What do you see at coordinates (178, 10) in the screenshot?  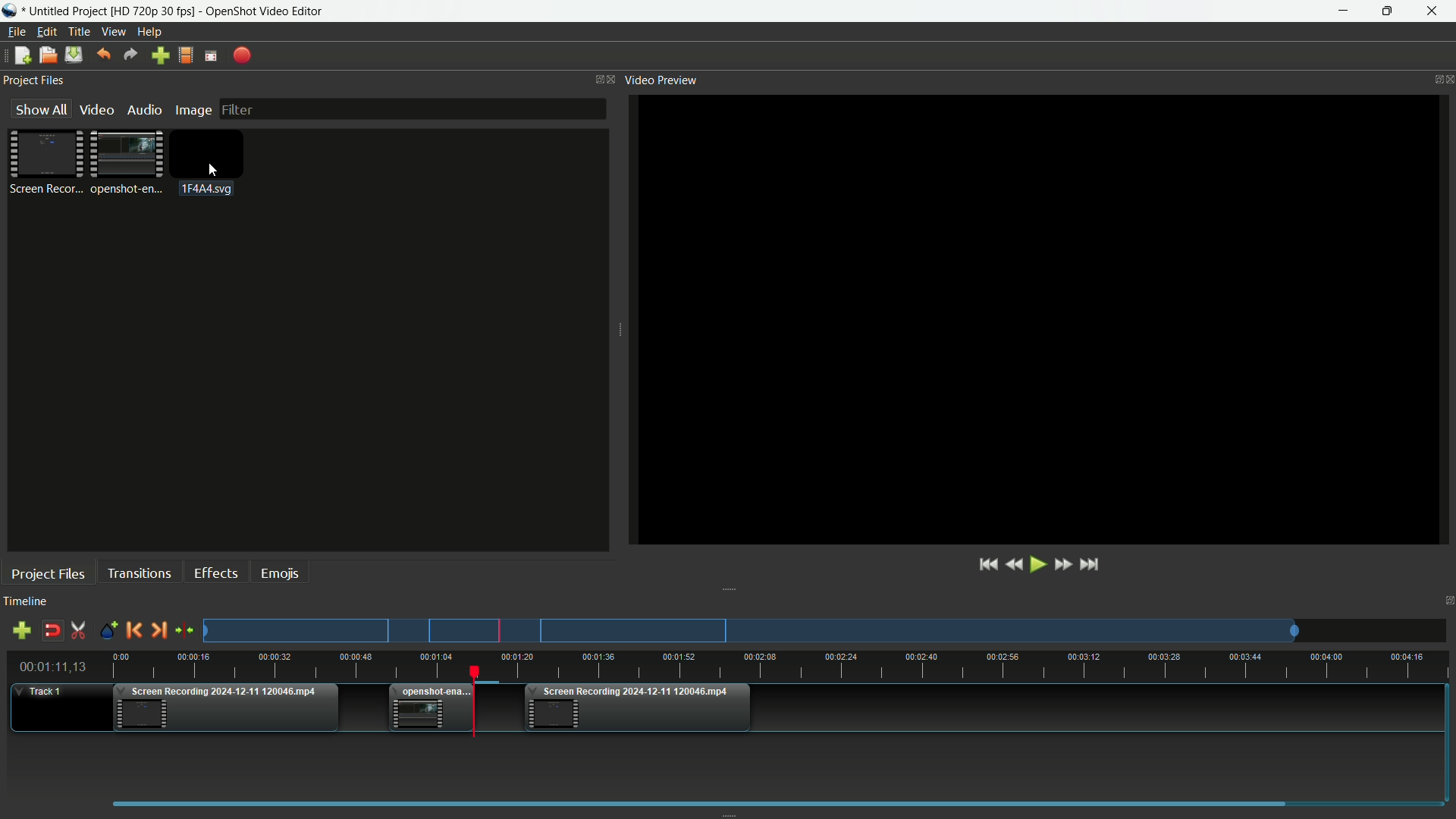 I see `untitled Project [HD 720p 30 fps] - OpenShot Video Editor` at bounding box center [178, 10].